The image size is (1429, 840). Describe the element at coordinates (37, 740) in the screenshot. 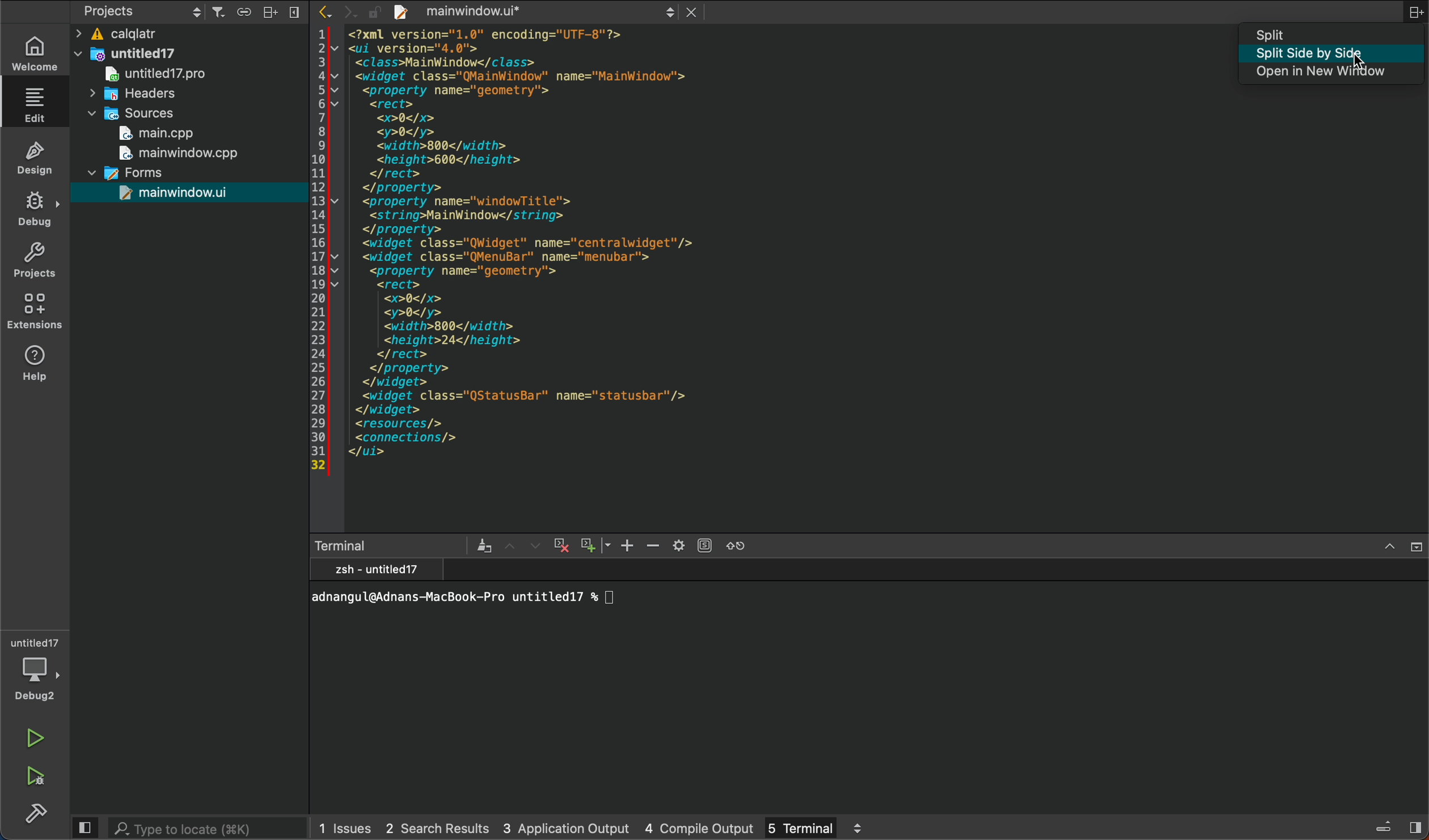

I see `run ` at that location.